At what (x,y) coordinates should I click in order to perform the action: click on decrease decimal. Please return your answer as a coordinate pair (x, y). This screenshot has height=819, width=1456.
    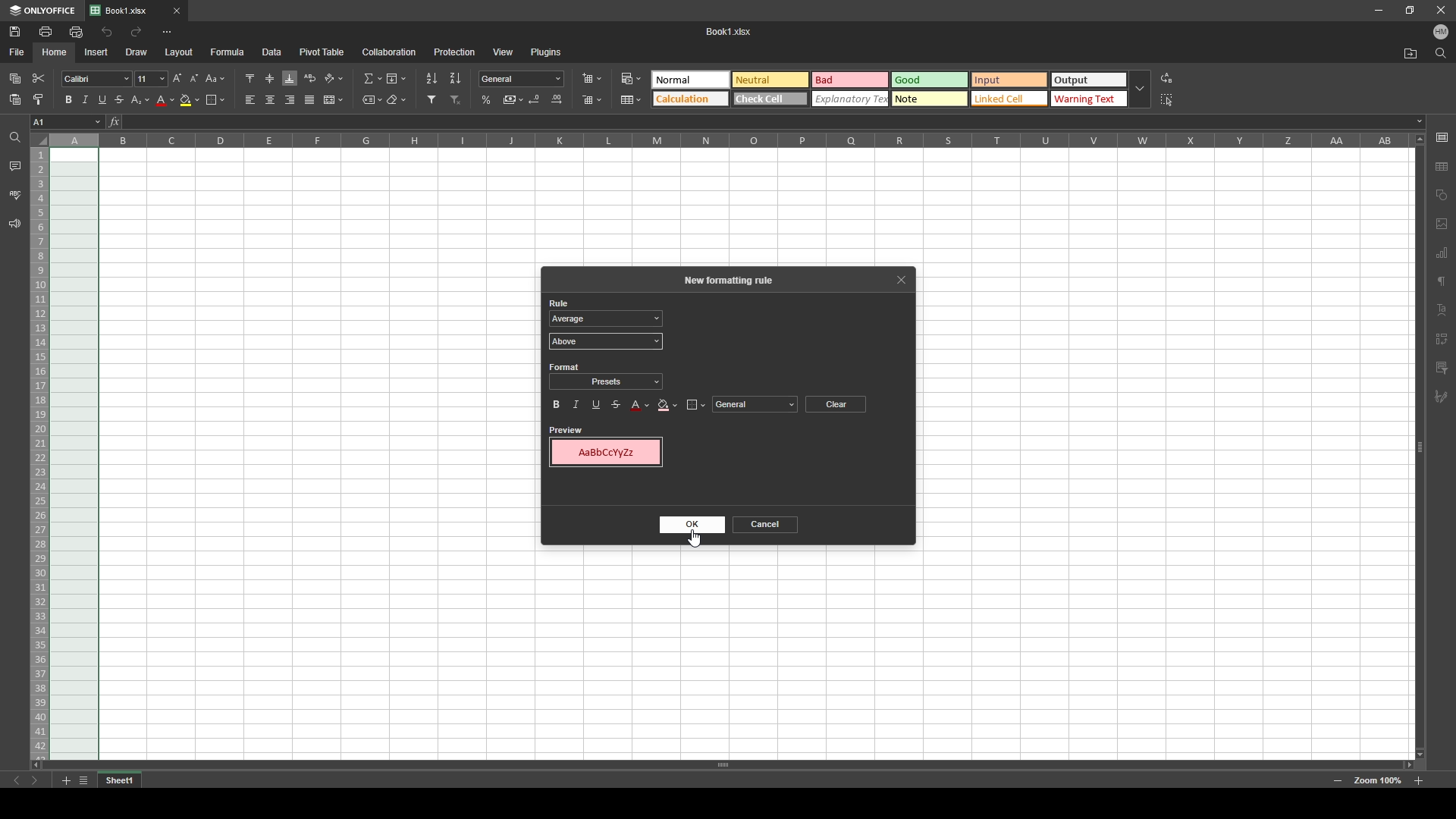
    Looking at the image, I should click on (536, 99).